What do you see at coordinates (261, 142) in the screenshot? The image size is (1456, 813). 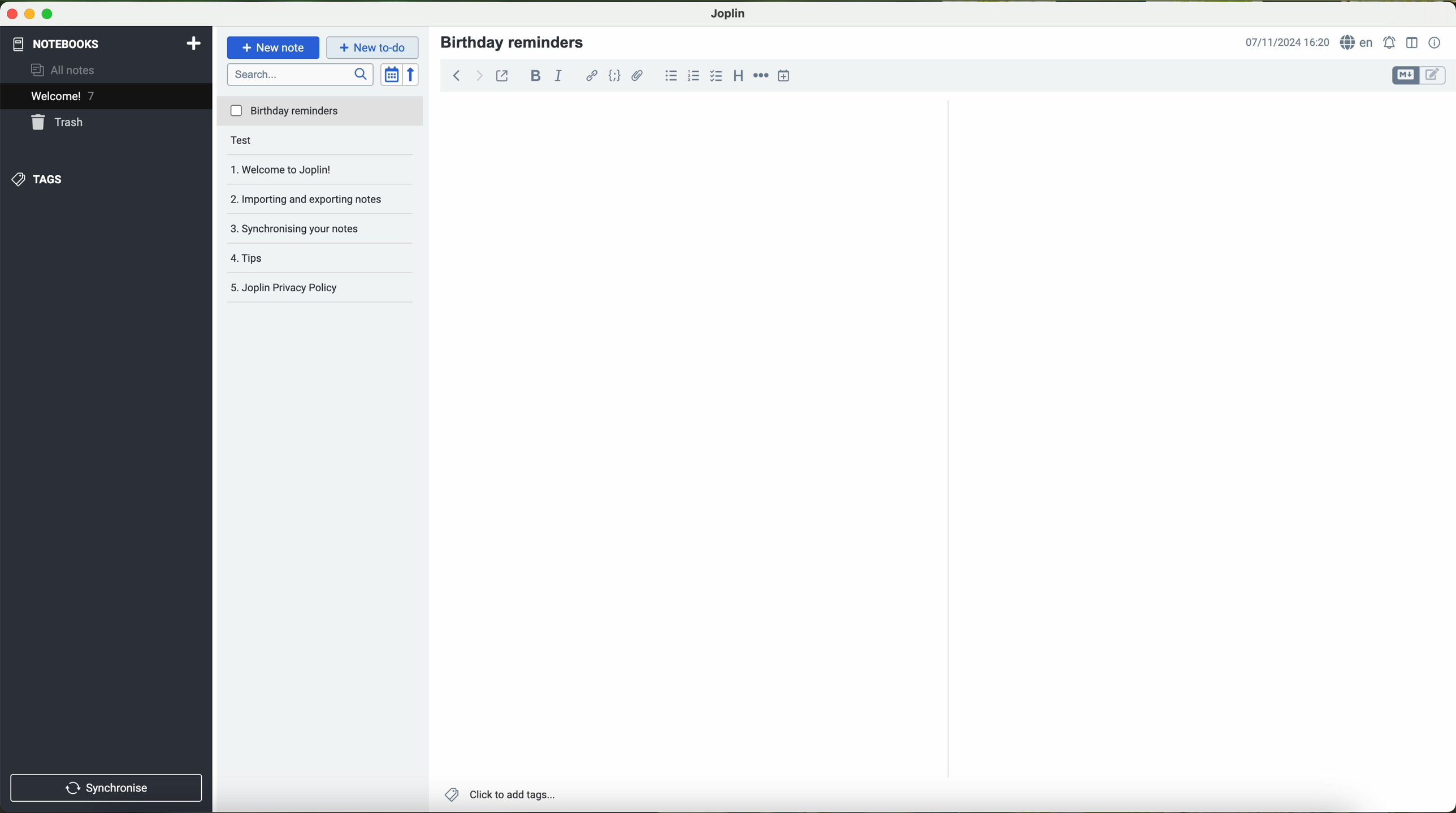 I see `test` at bounding box center [261, 142].